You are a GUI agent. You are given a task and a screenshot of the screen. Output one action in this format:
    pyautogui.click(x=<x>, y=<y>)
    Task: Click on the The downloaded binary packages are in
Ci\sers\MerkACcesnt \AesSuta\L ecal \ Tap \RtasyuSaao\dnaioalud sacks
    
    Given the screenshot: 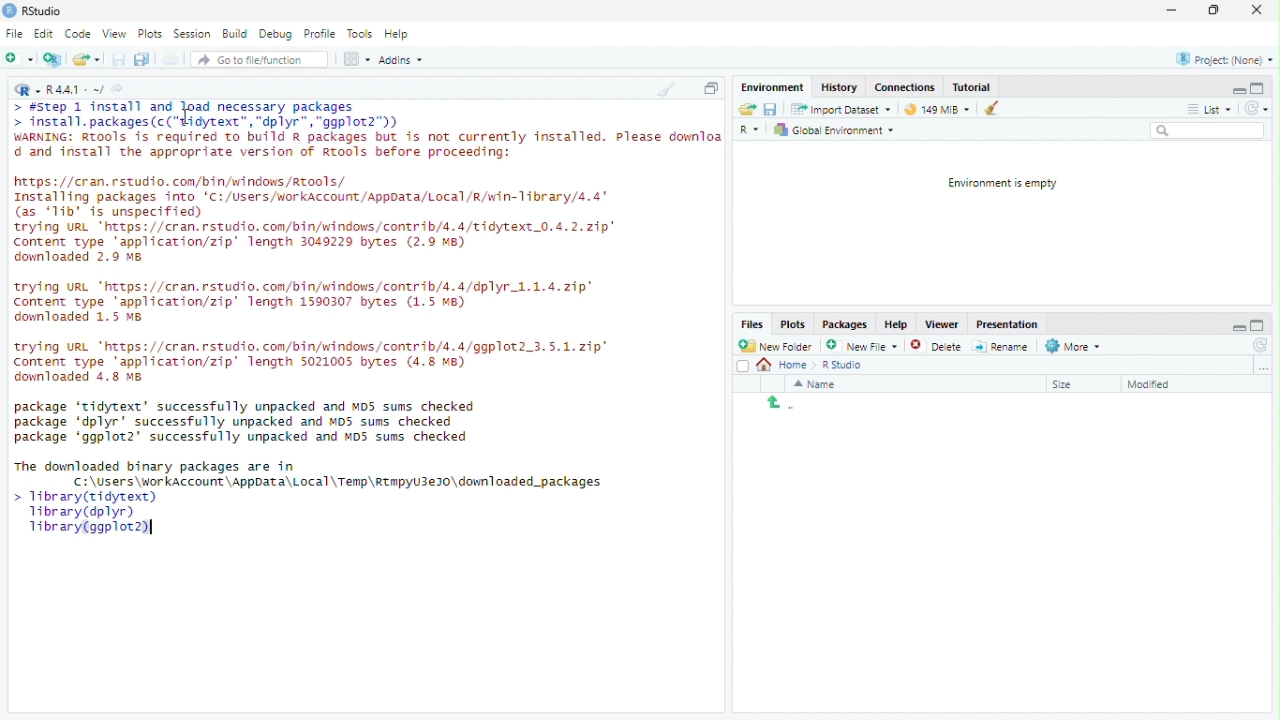 What is the action you would take?
    pyautogui.click(x=311, y=473)
    